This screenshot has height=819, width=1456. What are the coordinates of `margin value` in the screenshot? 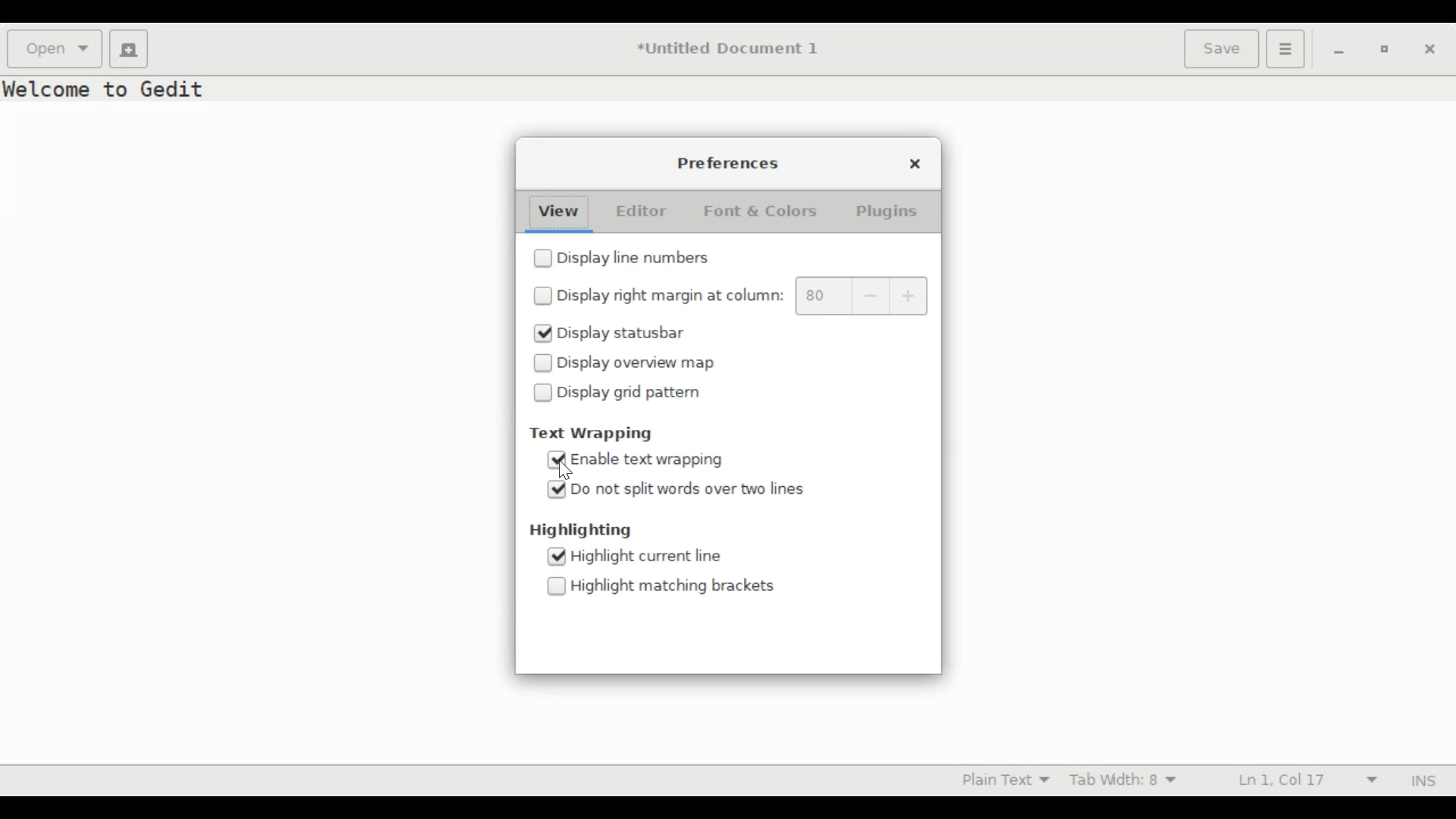 It's located at (821, 296).